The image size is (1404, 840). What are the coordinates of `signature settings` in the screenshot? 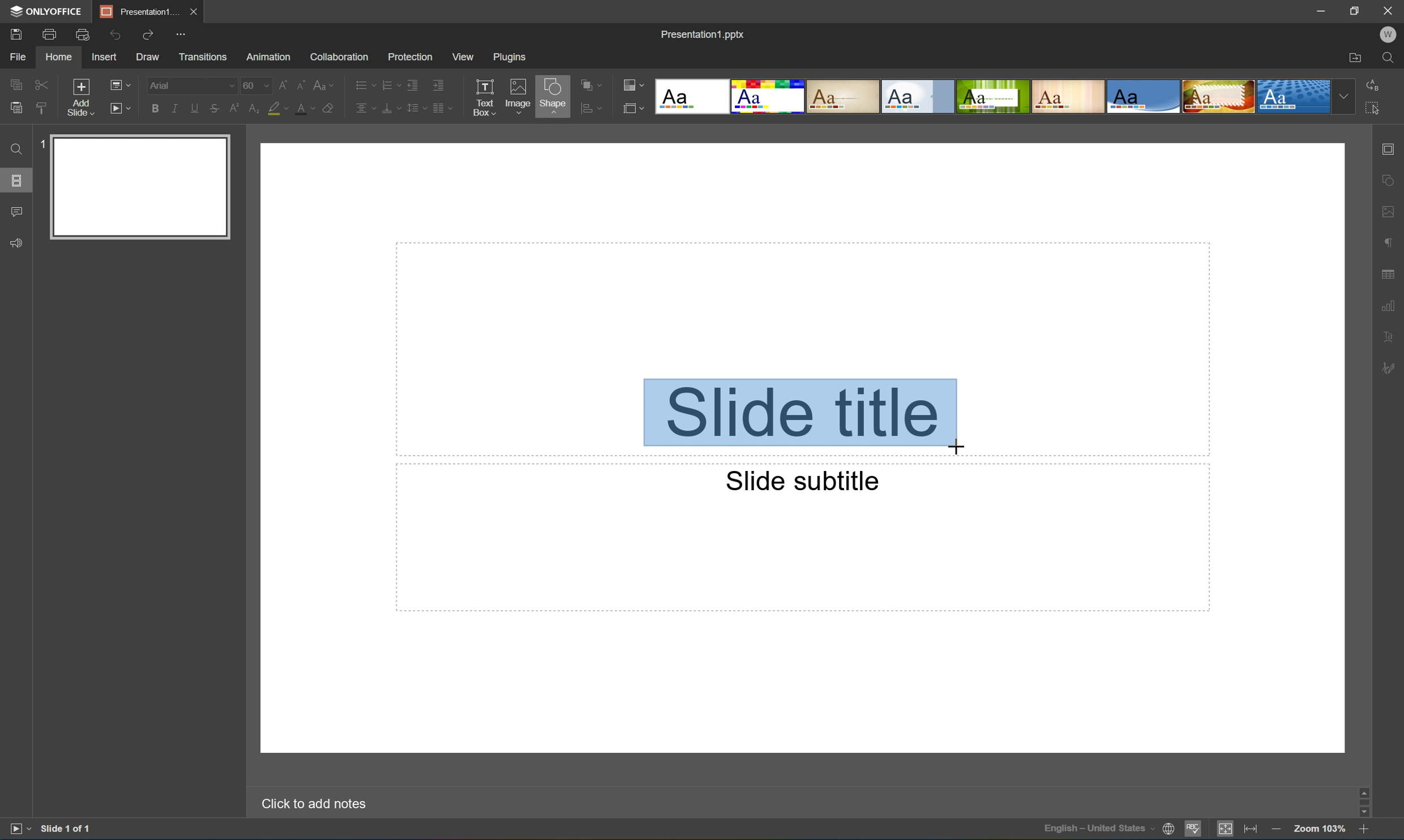 It's located at (1390, 368).